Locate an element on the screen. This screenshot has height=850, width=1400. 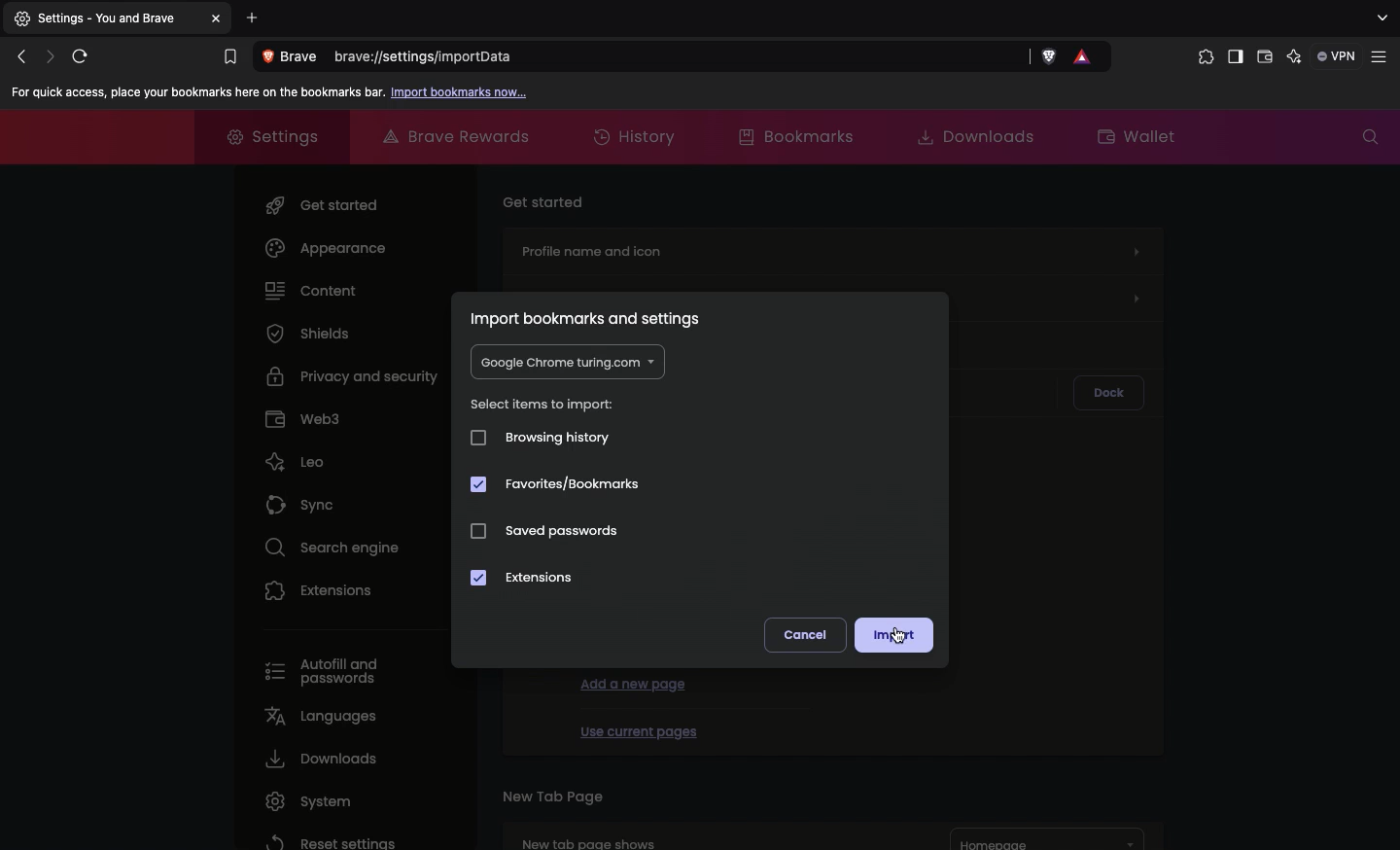
Google chrome turing.com is located at coordinates (566, 363).